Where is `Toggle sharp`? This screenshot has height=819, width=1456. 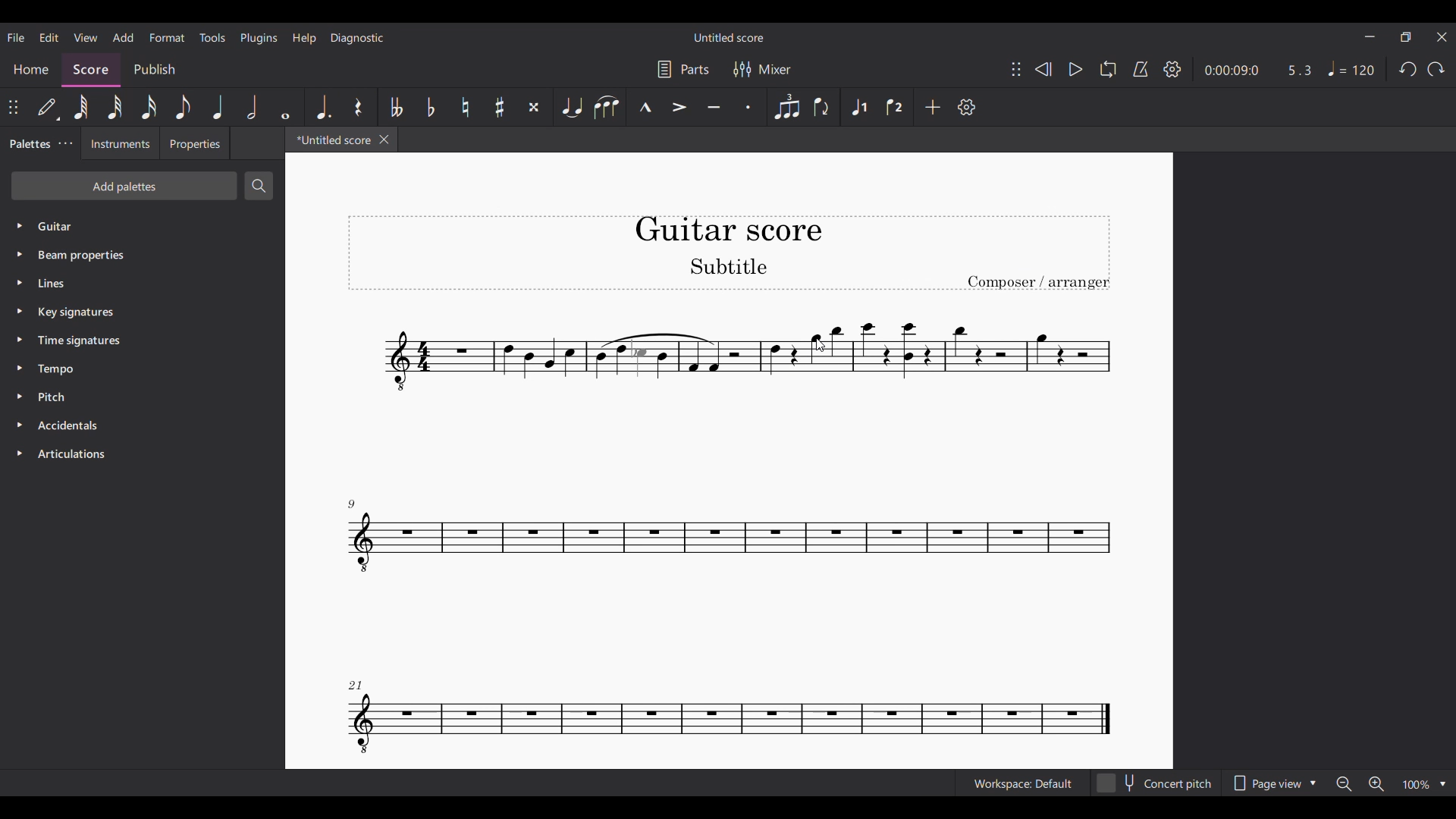
Toggle sharp is located at coordinates (500, 107).